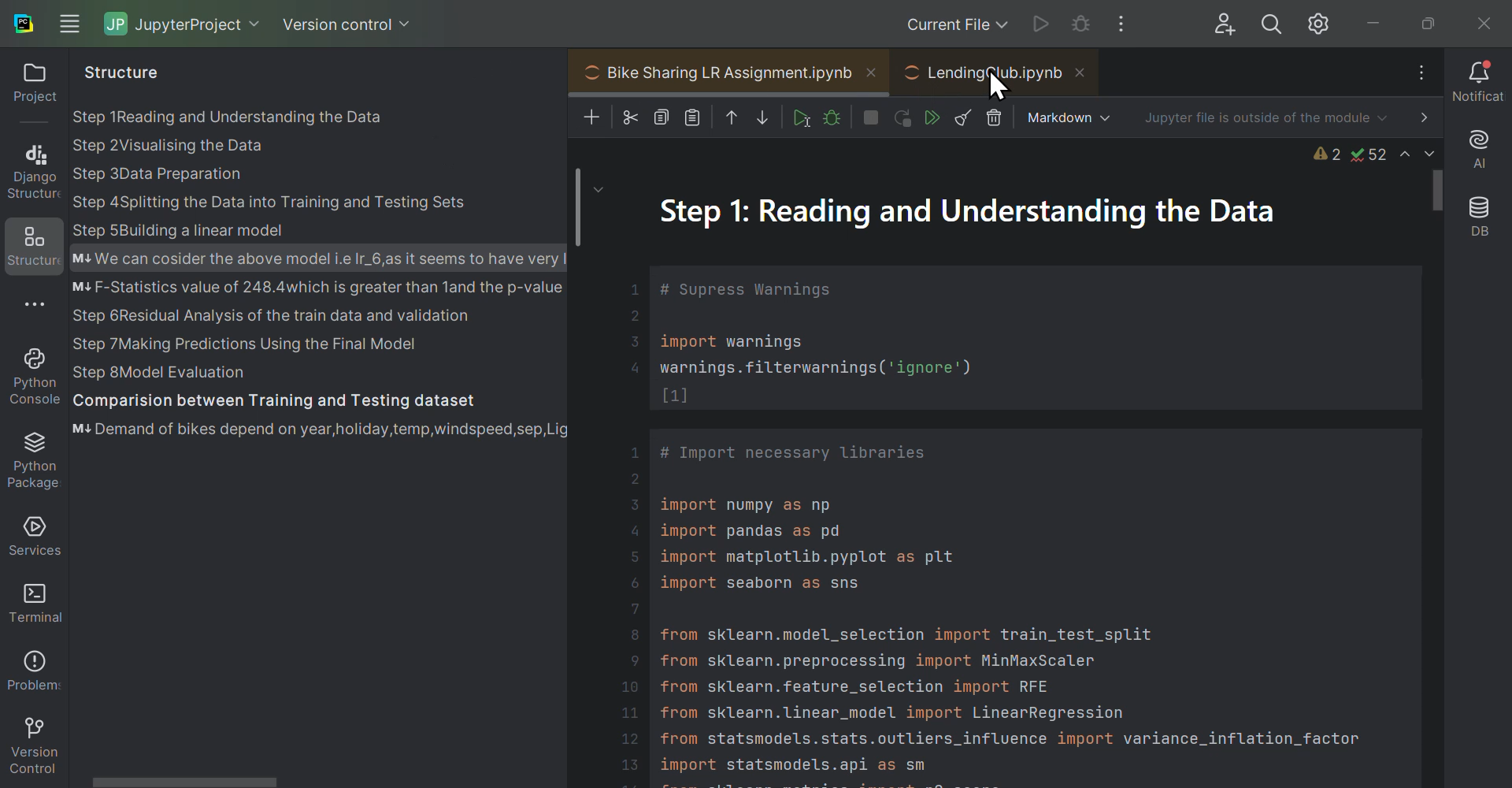 The image size is (1512, 788). Describe the element at coordinates (35, 87) in the screenshot. I see `Project` at that location.